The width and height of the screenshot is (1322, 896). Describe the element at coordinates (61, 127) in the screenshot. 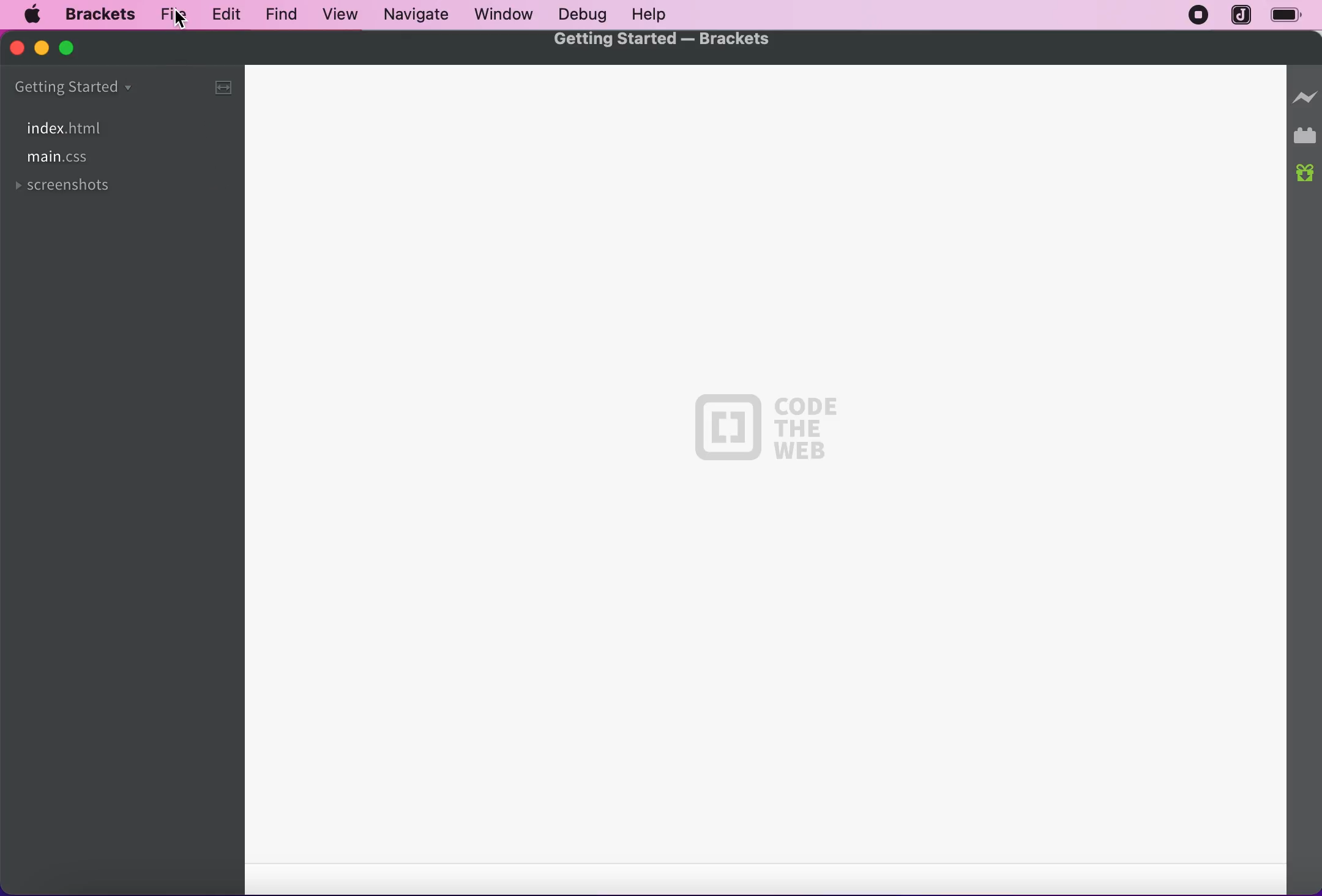

I see `index.html` at that location.